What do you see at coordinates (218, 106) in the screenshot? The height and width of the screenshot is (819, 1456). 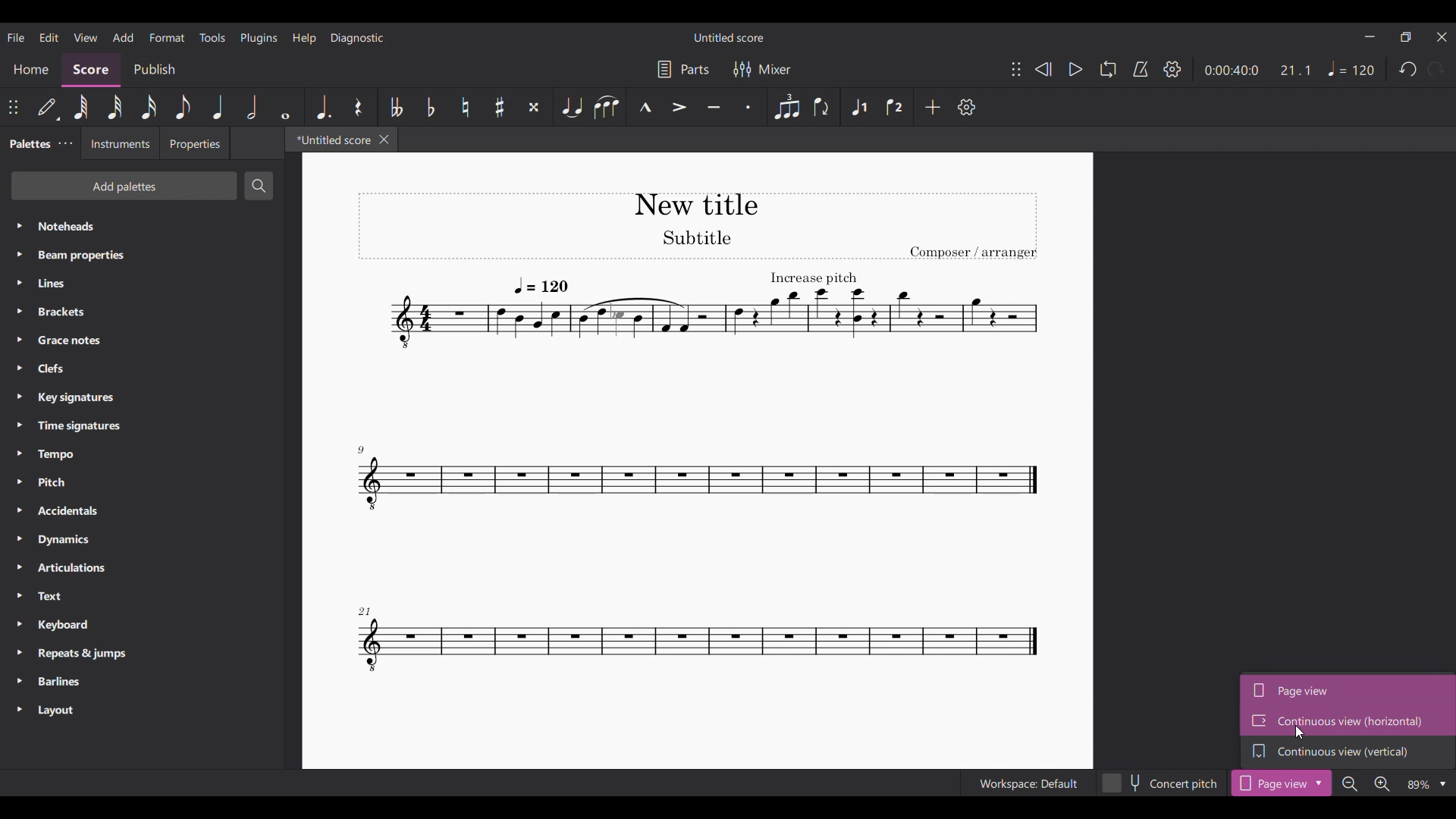 I see `Quarter note` at bounding box center [218, 106].